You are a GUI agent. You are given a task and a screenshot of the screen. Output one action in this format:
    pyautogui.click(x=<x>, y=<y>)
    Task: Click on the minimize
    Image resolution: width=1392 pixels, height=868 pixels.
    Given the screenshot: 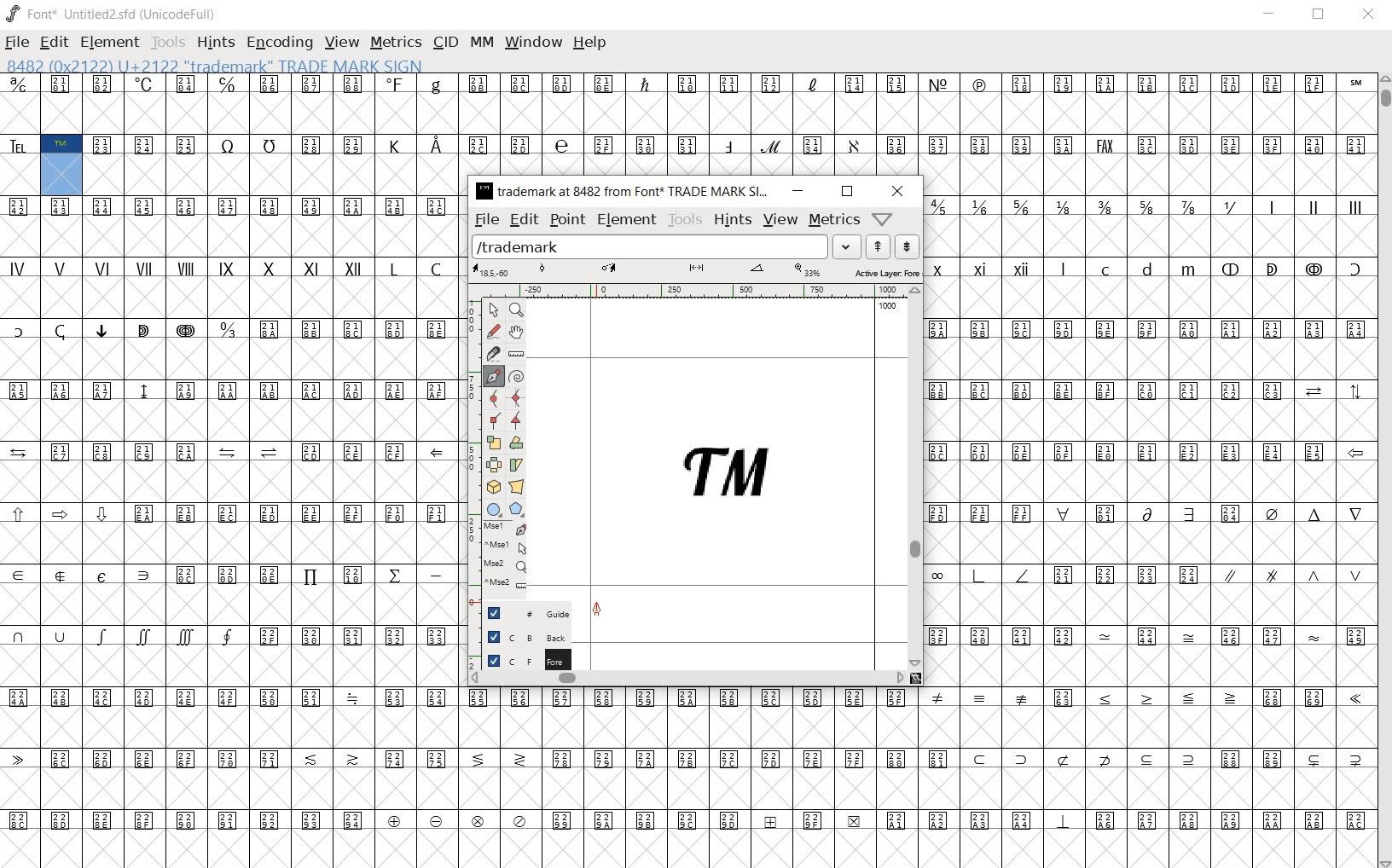 What is the action you would take?
    pyautogui.click(x=798, y=191)
    